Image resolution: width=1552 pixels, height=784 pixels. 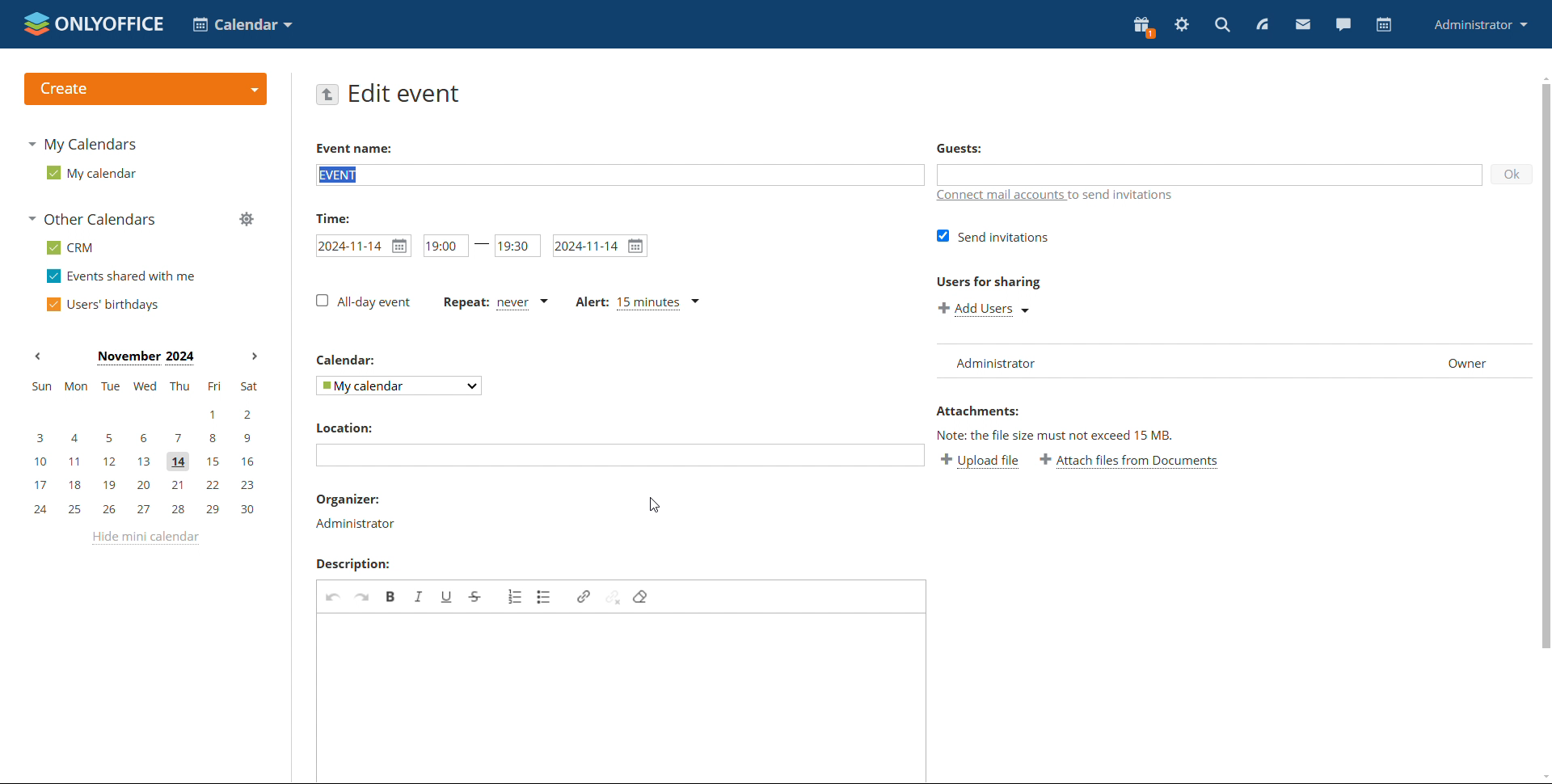 I want to click on edit event name, so click(x=619, y=175).